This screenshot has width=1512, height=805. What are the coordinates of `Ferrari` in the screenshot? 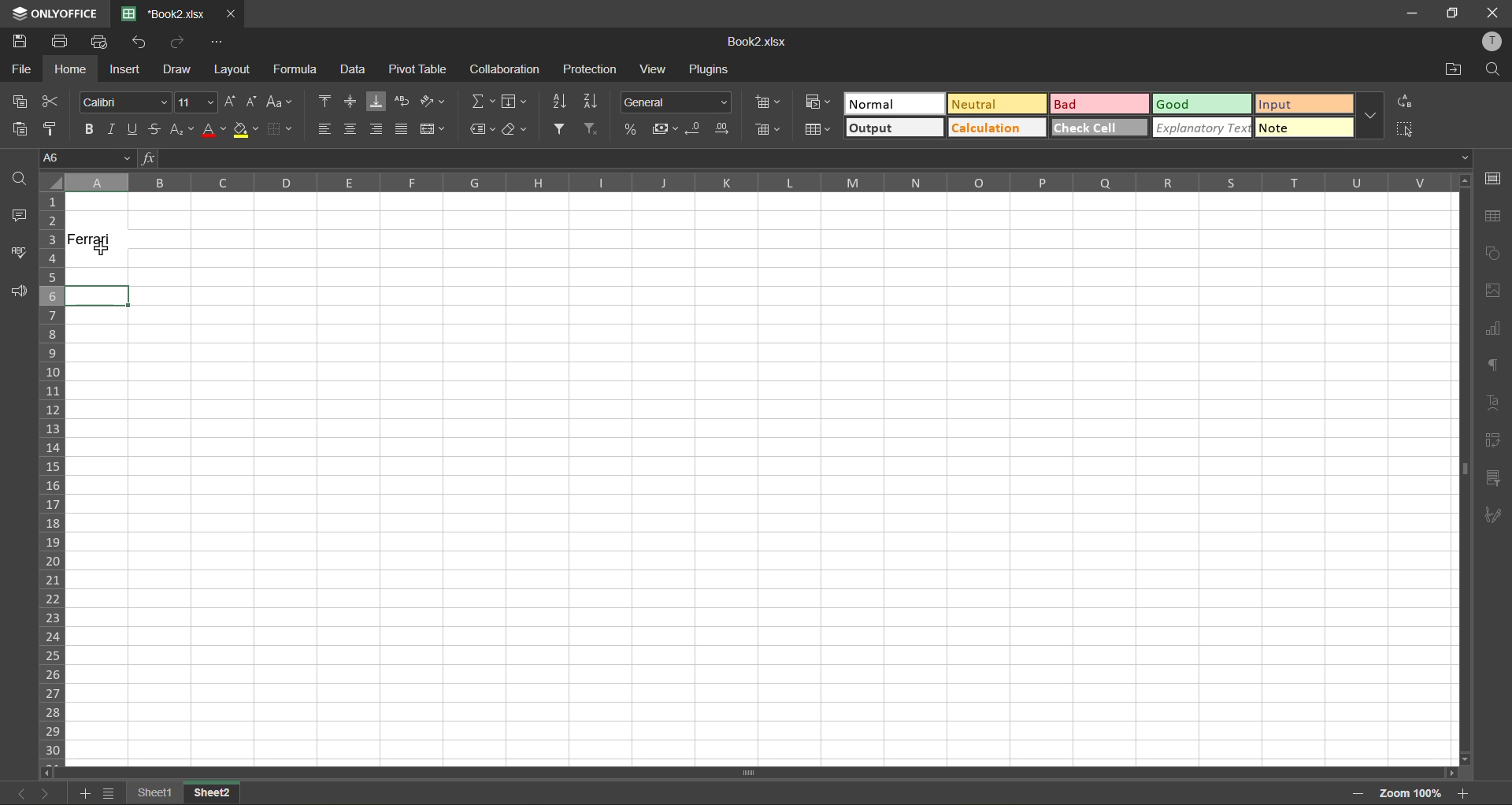 It's located at (93, 239).